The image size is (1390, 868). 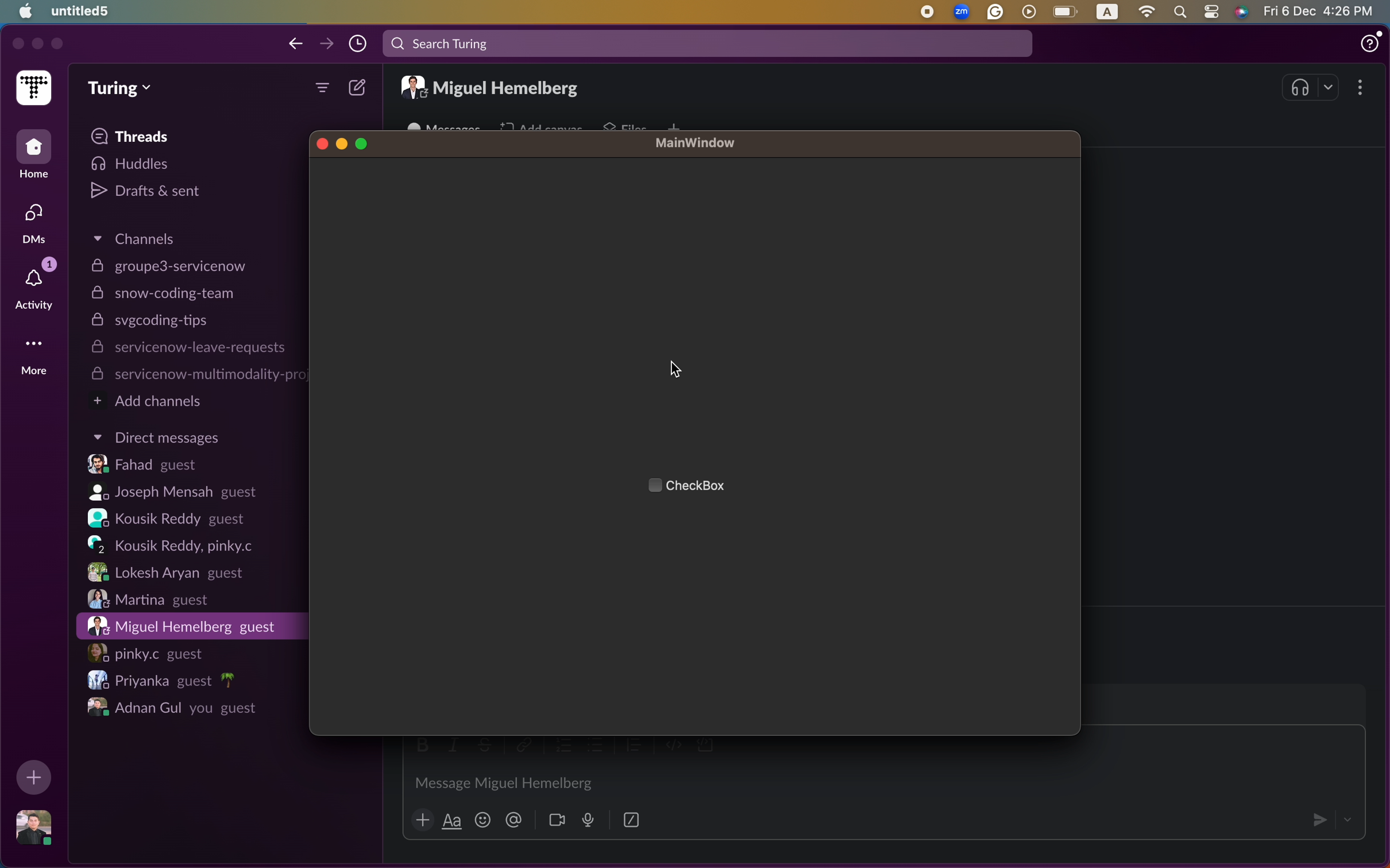 What do you see at coordinates (31, 224) in the screenshot?
I see `Dms` at bounding box center [31, 224].